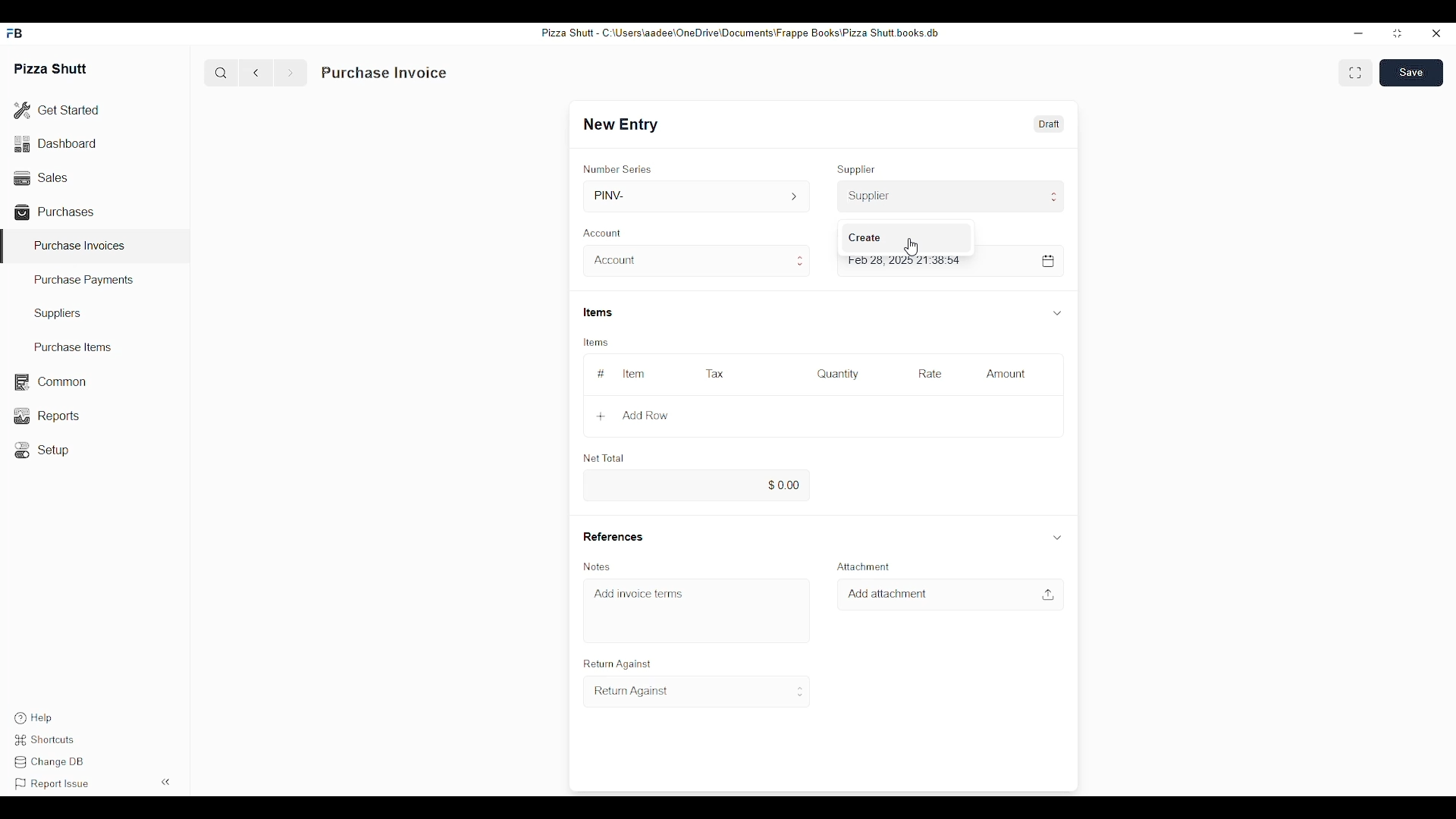 This screenshot has height=819, width=1456. Describe the element at coordinates (67, 347) in the screenshot. I see `Purchase Items` at that location.